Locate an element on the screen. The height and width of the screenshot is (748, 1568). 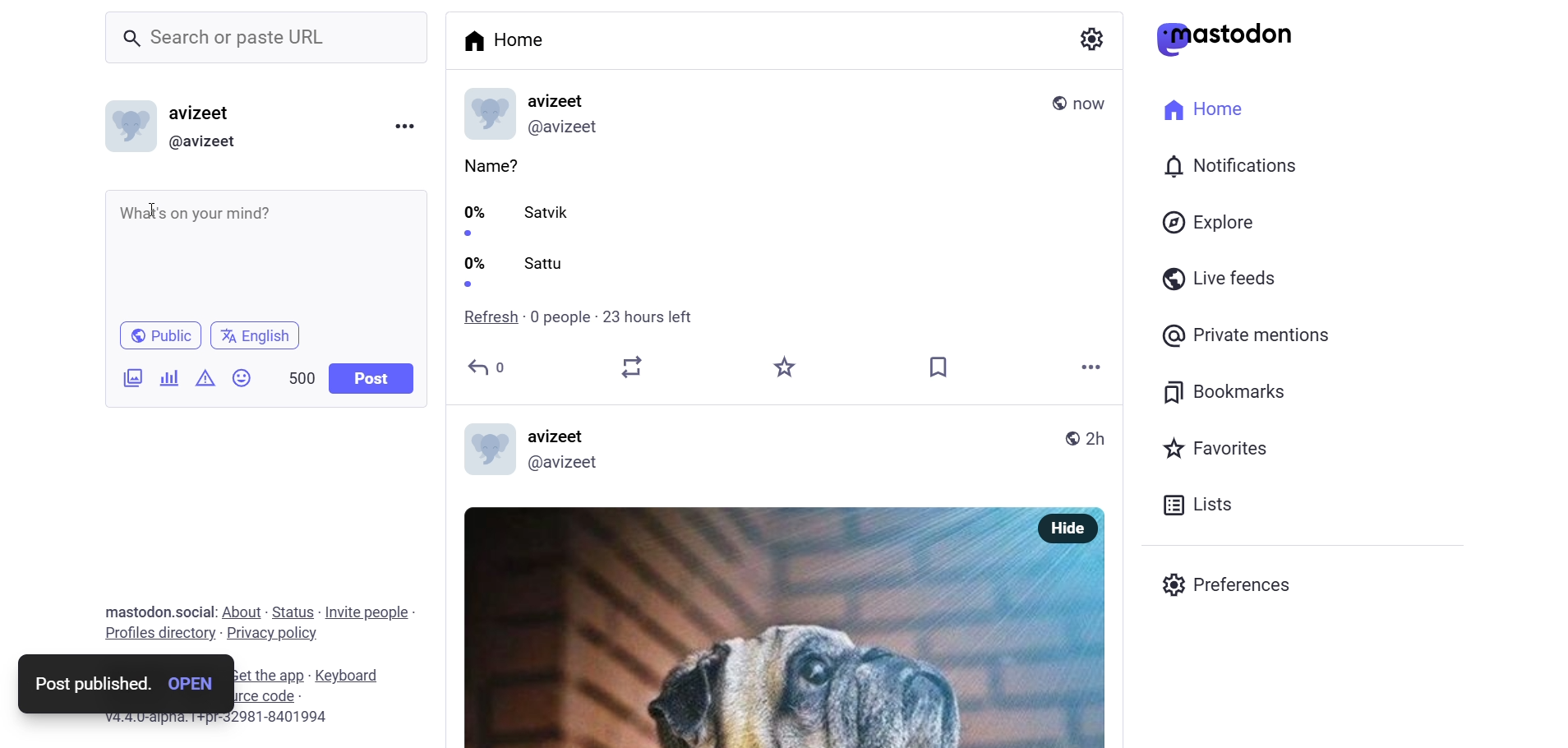
avizeet is located at coordinates (204, 115).